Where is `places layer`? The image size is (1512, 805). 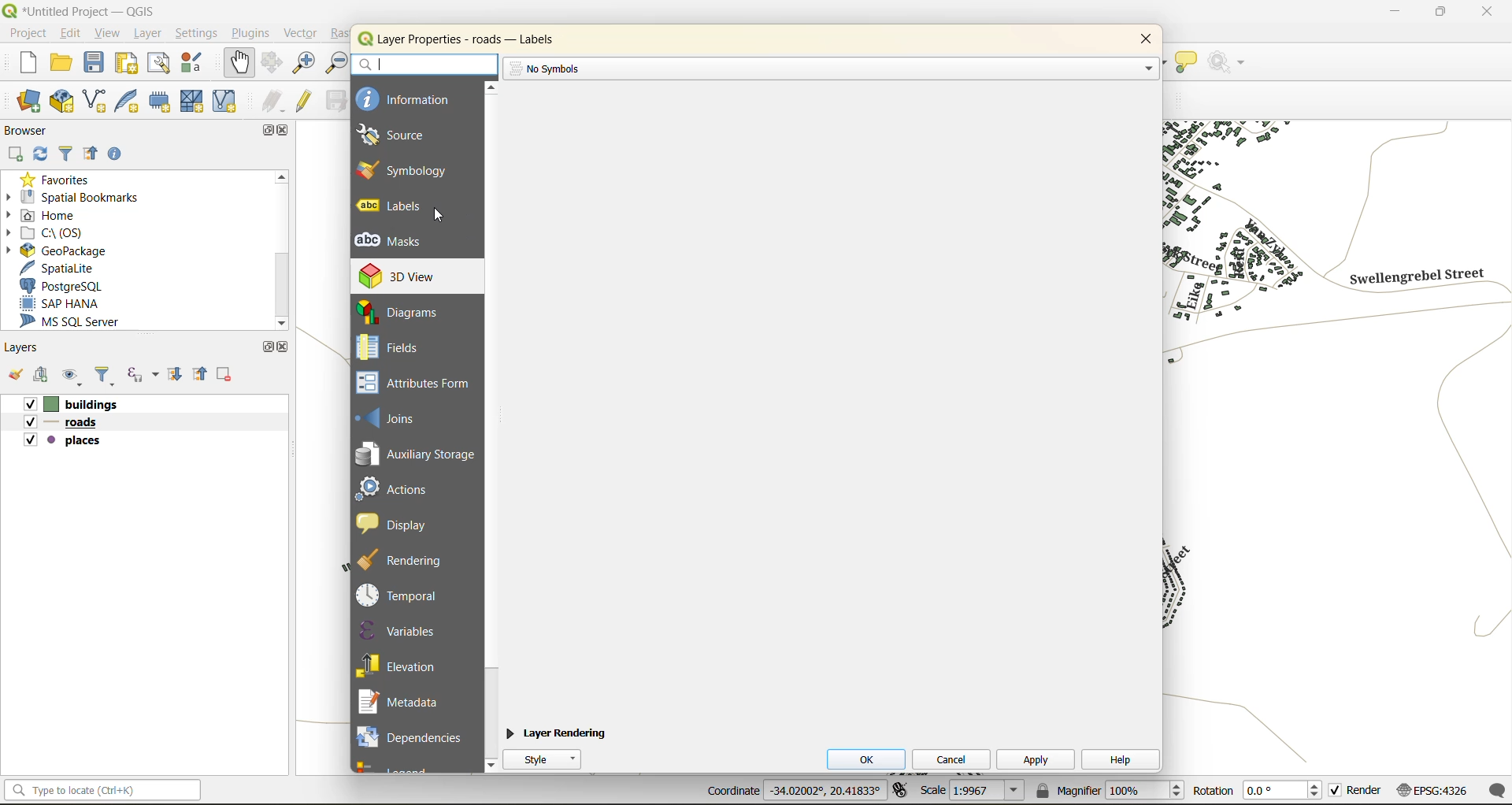 places layer is located at coordinates (63, 441).